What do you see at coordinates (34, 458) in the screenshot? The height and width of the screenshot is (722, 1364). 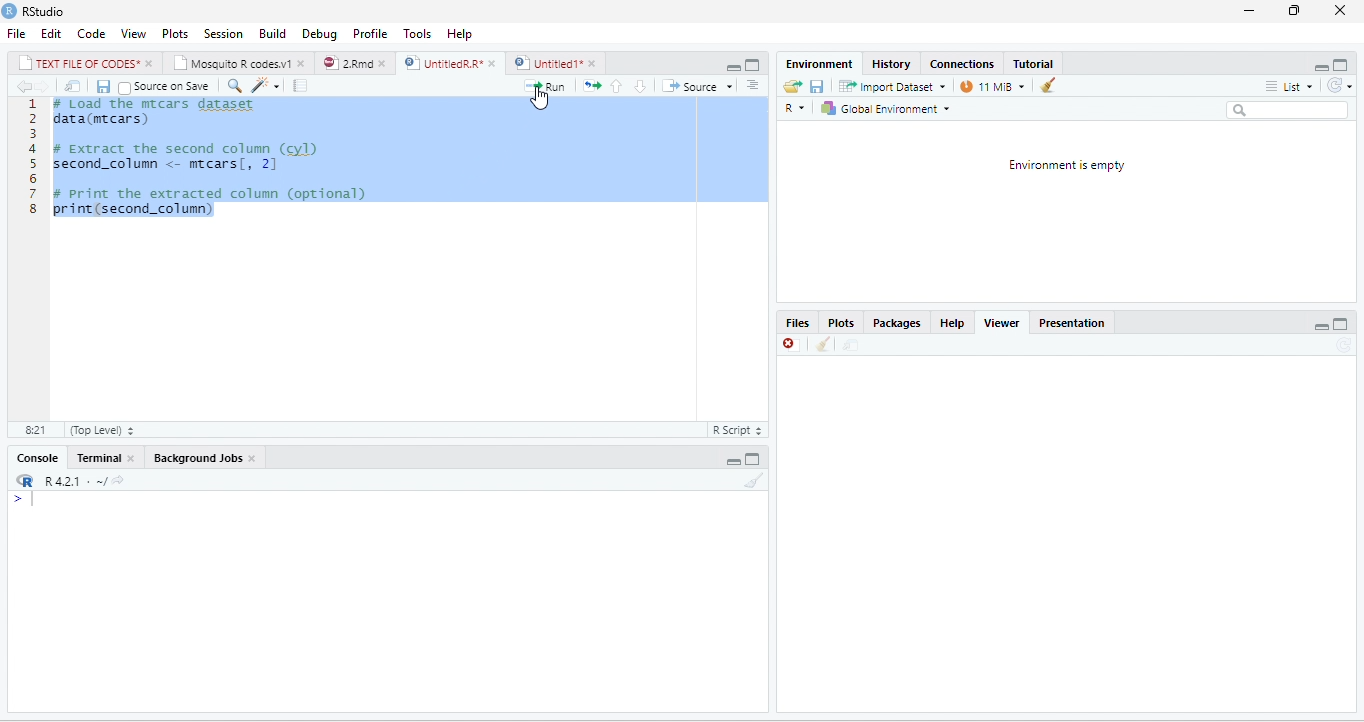 I see `Console` at bounding box center [34, 458].